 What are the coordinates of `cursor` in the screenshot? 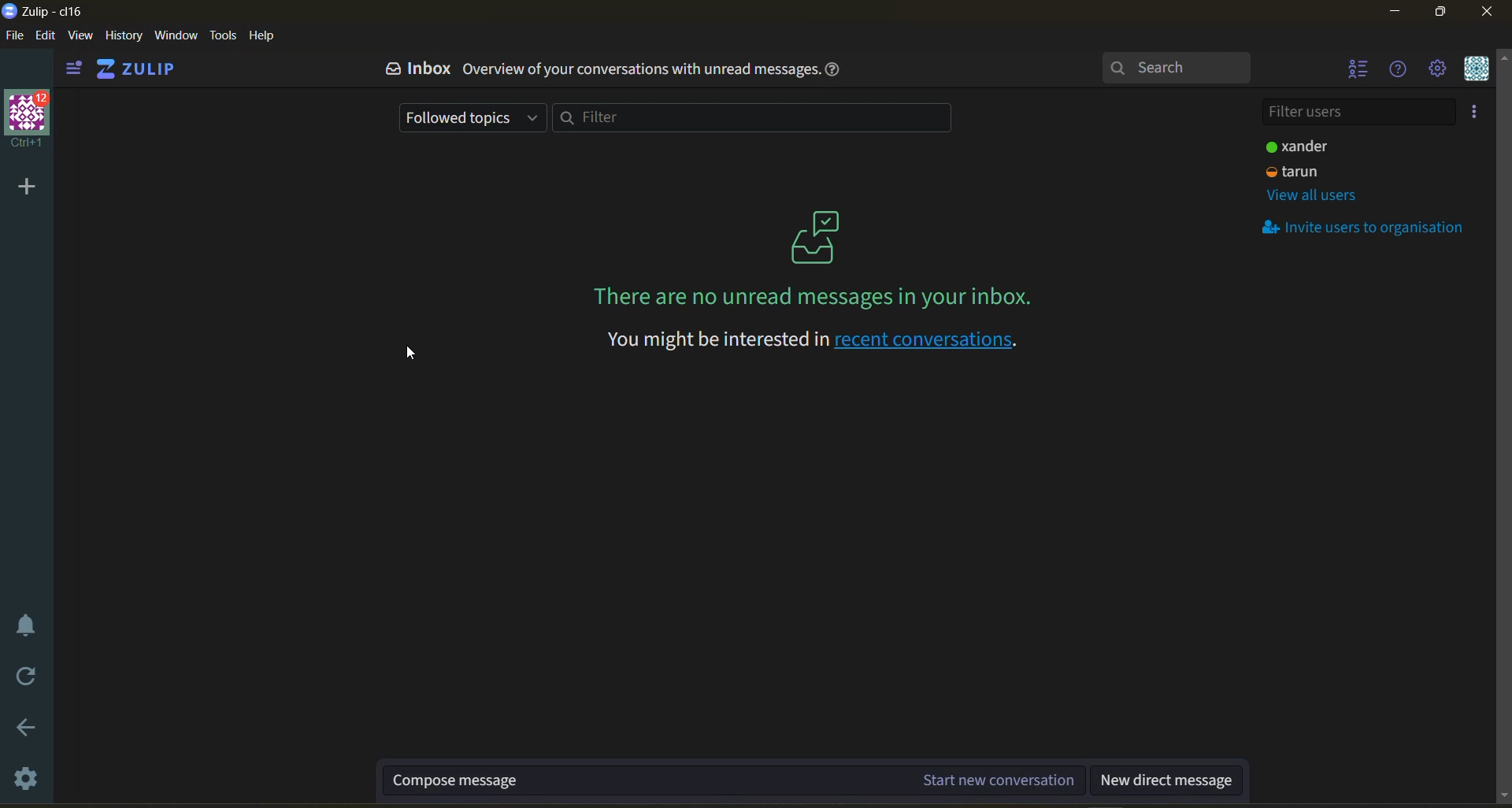 It's located at (416, 356).